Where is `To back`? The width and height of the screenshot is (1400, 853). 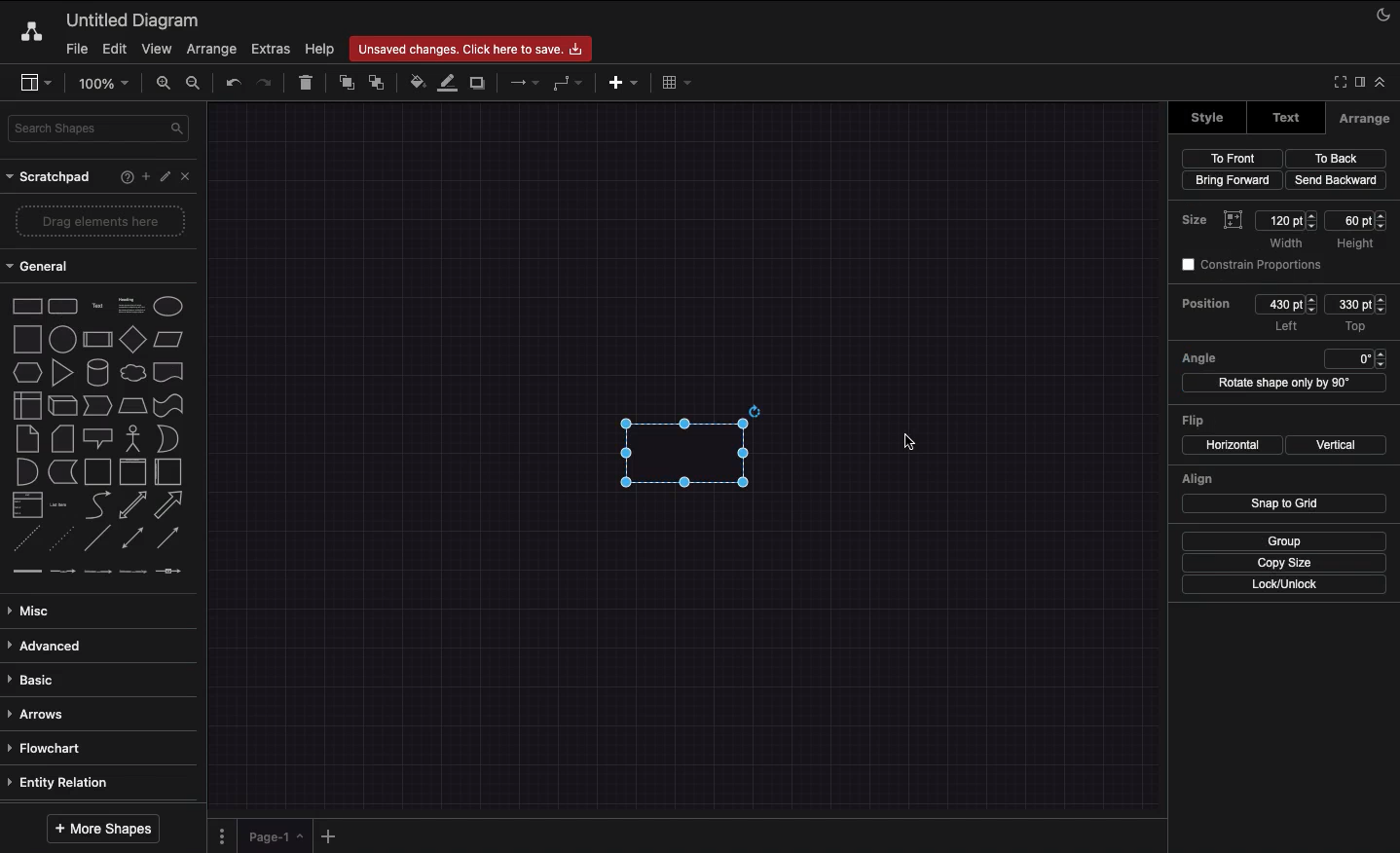
To back is located at coordinates (377, 86).